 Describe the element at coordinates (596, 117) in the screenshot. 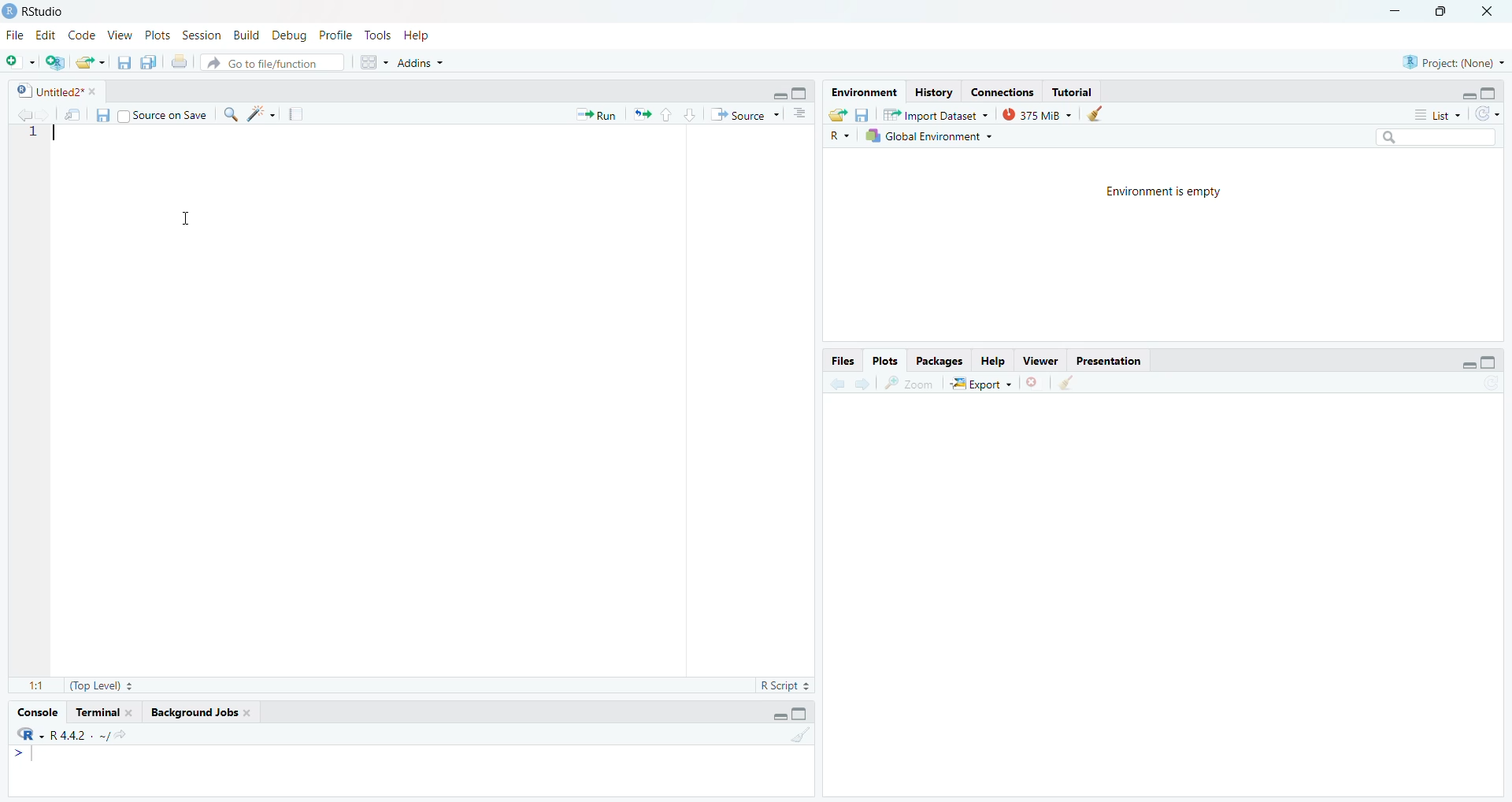

I see ` Run` at that location.